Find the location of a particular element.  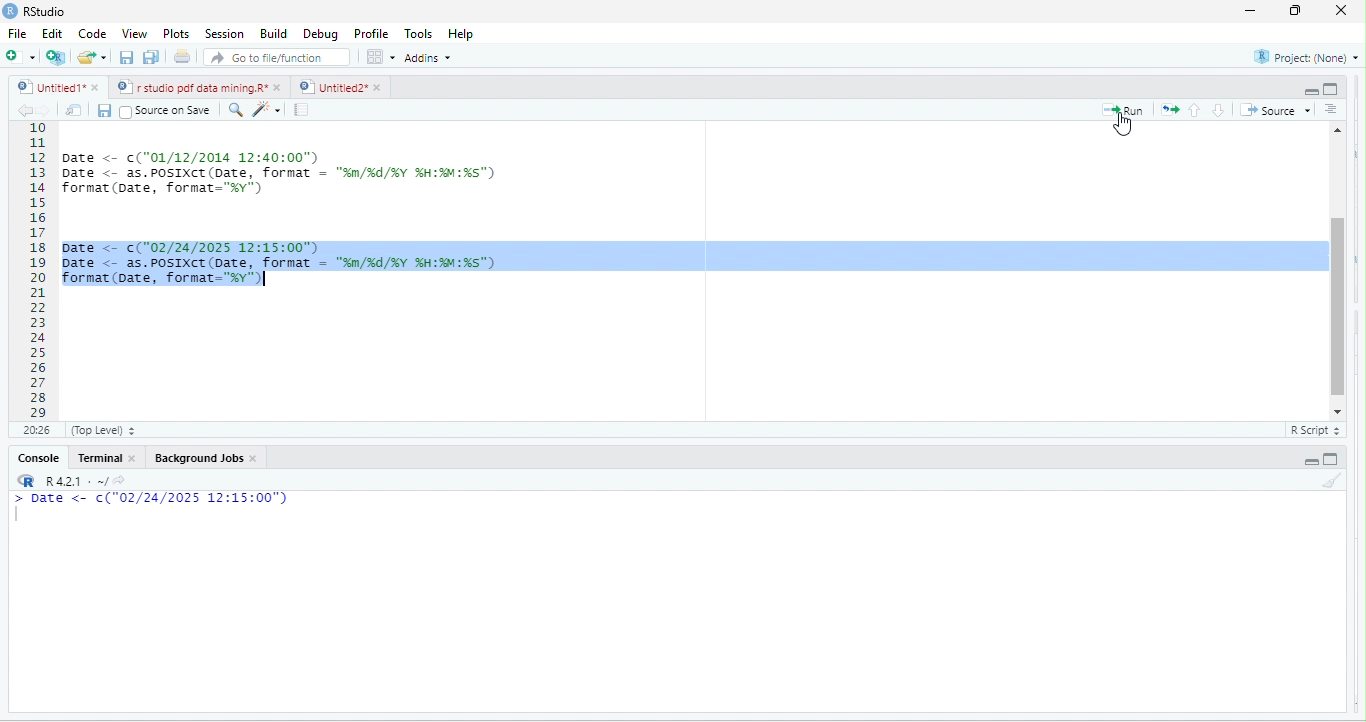

print the current file is located at coordinates (181, 59).